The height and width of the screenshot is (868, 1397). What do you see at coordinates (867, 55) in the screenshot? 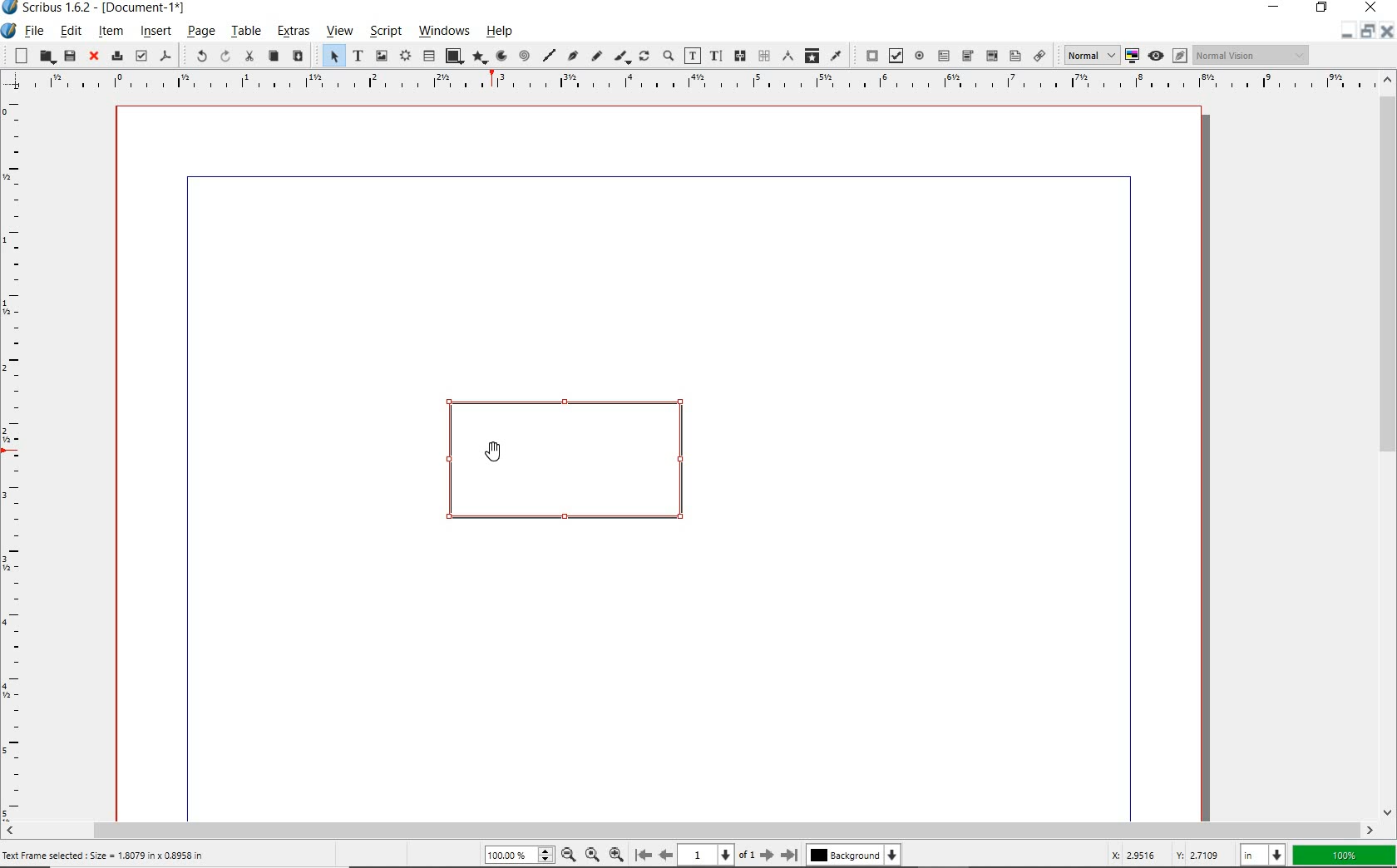
I see `pdf push button` at bounding box center [867, 55].